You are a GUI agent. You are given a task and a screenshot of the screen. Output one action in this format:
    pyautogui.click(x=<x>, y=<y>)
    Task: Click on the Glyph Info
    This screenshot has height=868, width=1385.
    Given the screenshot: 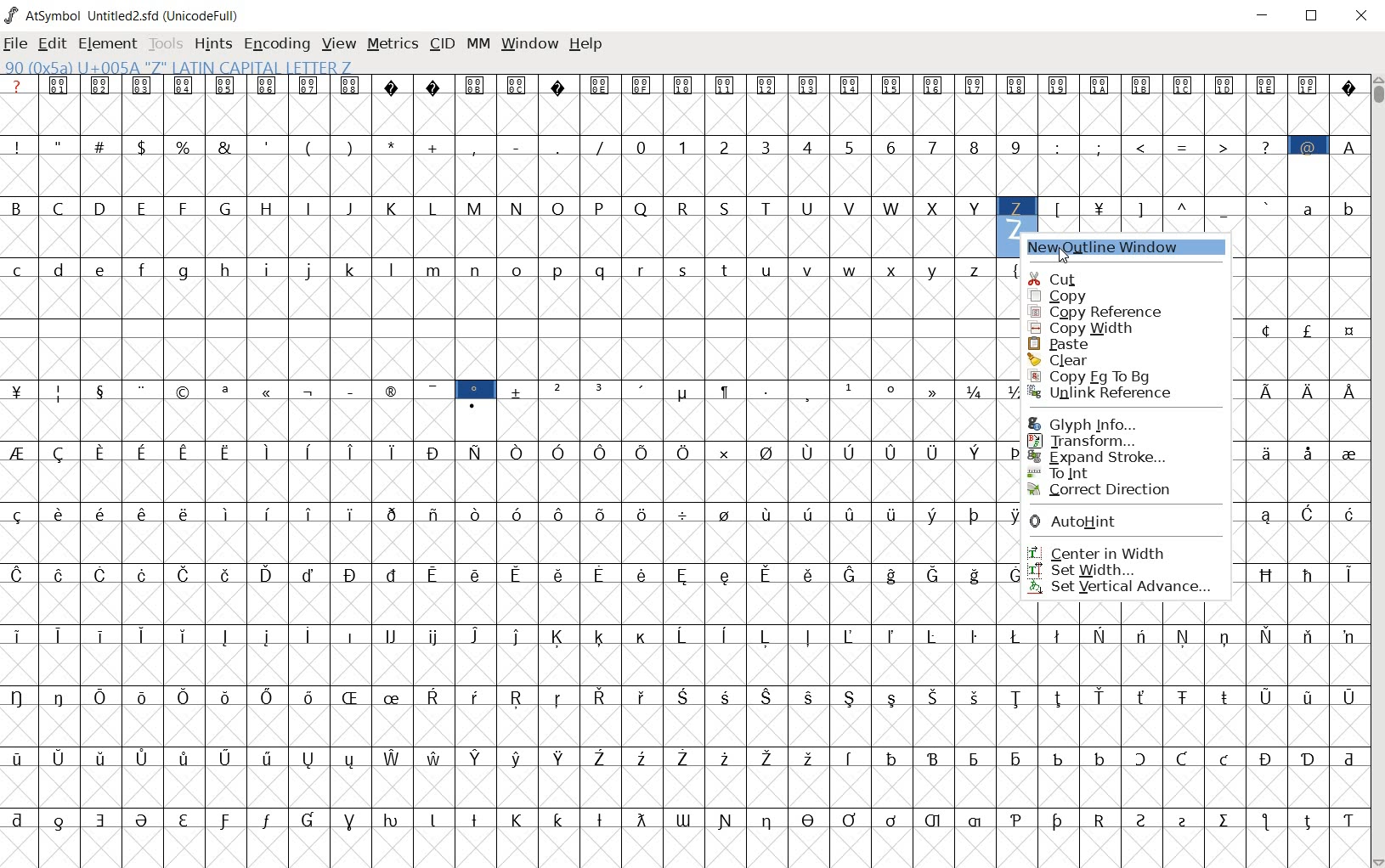 What is the action you would take?
    pyautogui.click(x=1093, y=423)
    